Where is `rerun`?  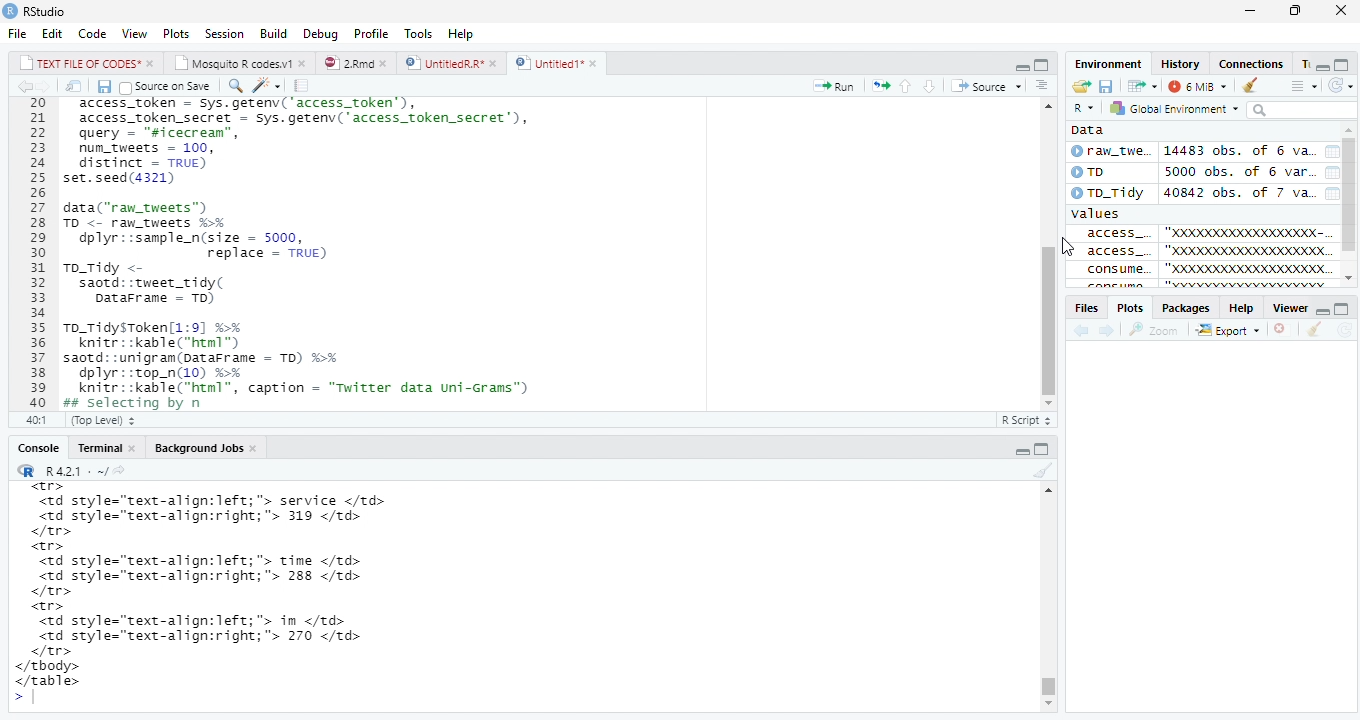
rerun is located at coordinates (883, 84).